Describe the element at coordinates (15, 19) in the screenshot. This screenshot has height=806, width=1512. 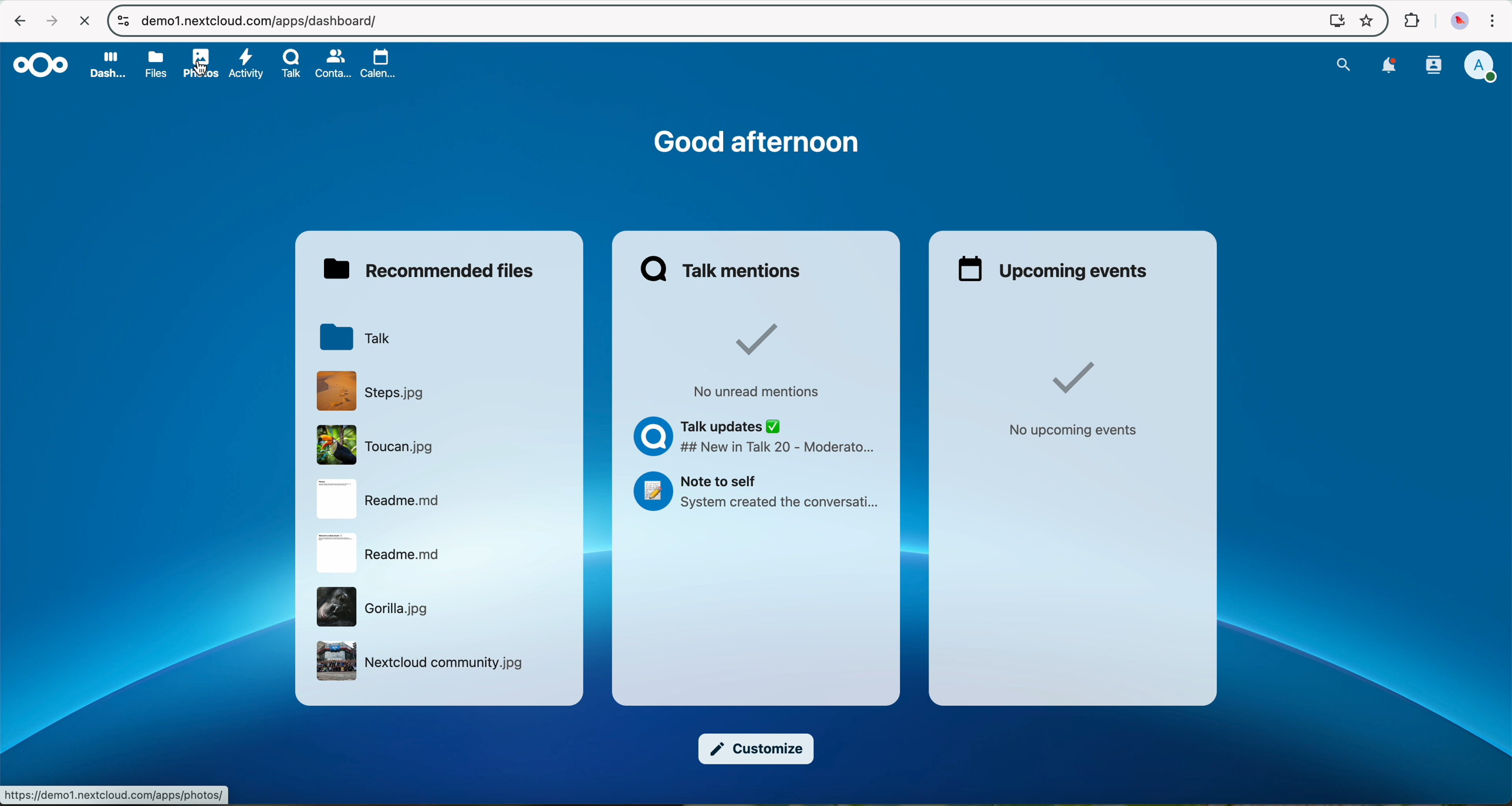
I see `navigate back` at that location.